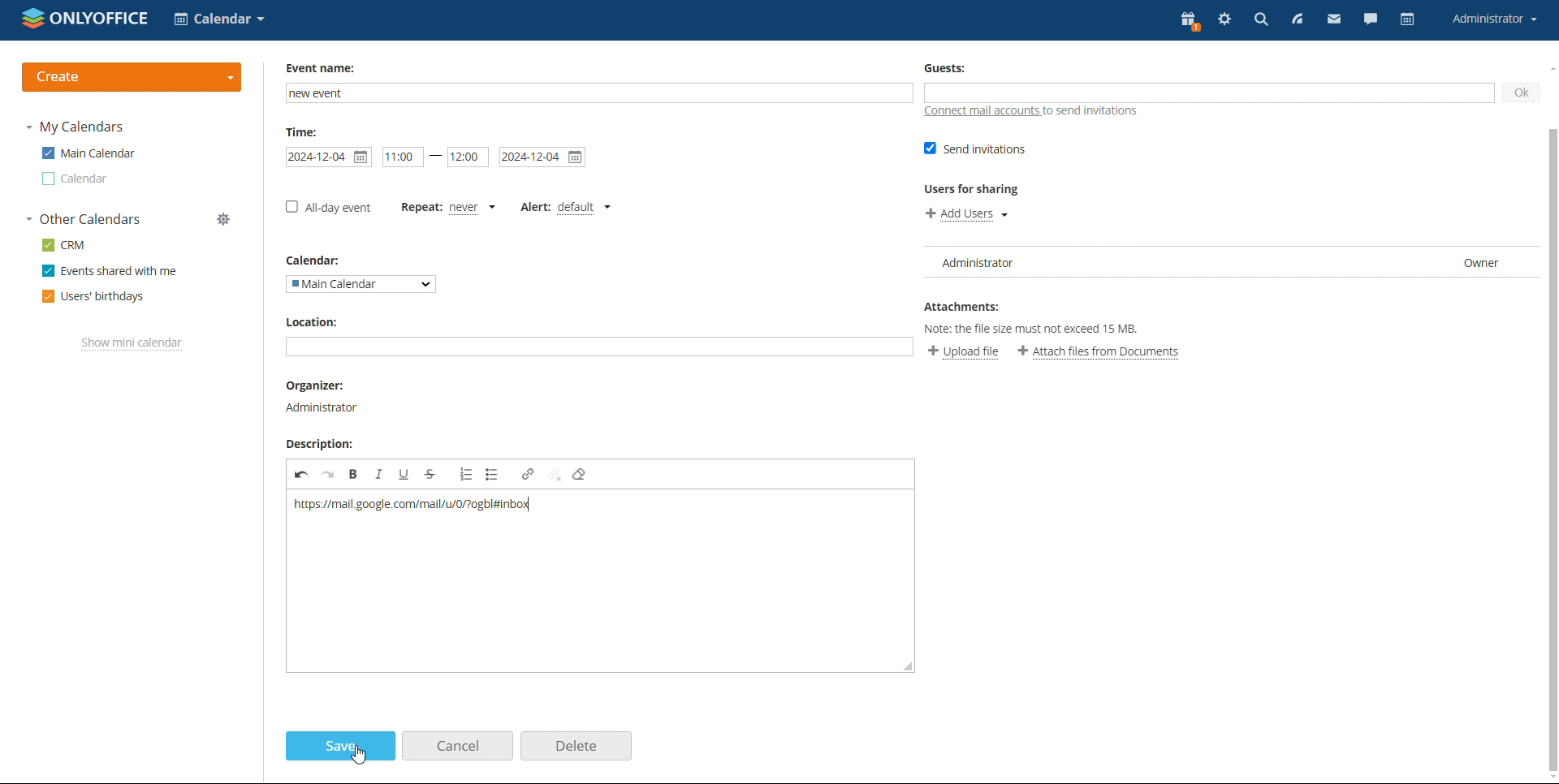 The width and height of the screenshot is (1559, 784). What do you see at coordinates (910, 668) in the screenshot?
I see `resize` at bounding box center [910, 668].